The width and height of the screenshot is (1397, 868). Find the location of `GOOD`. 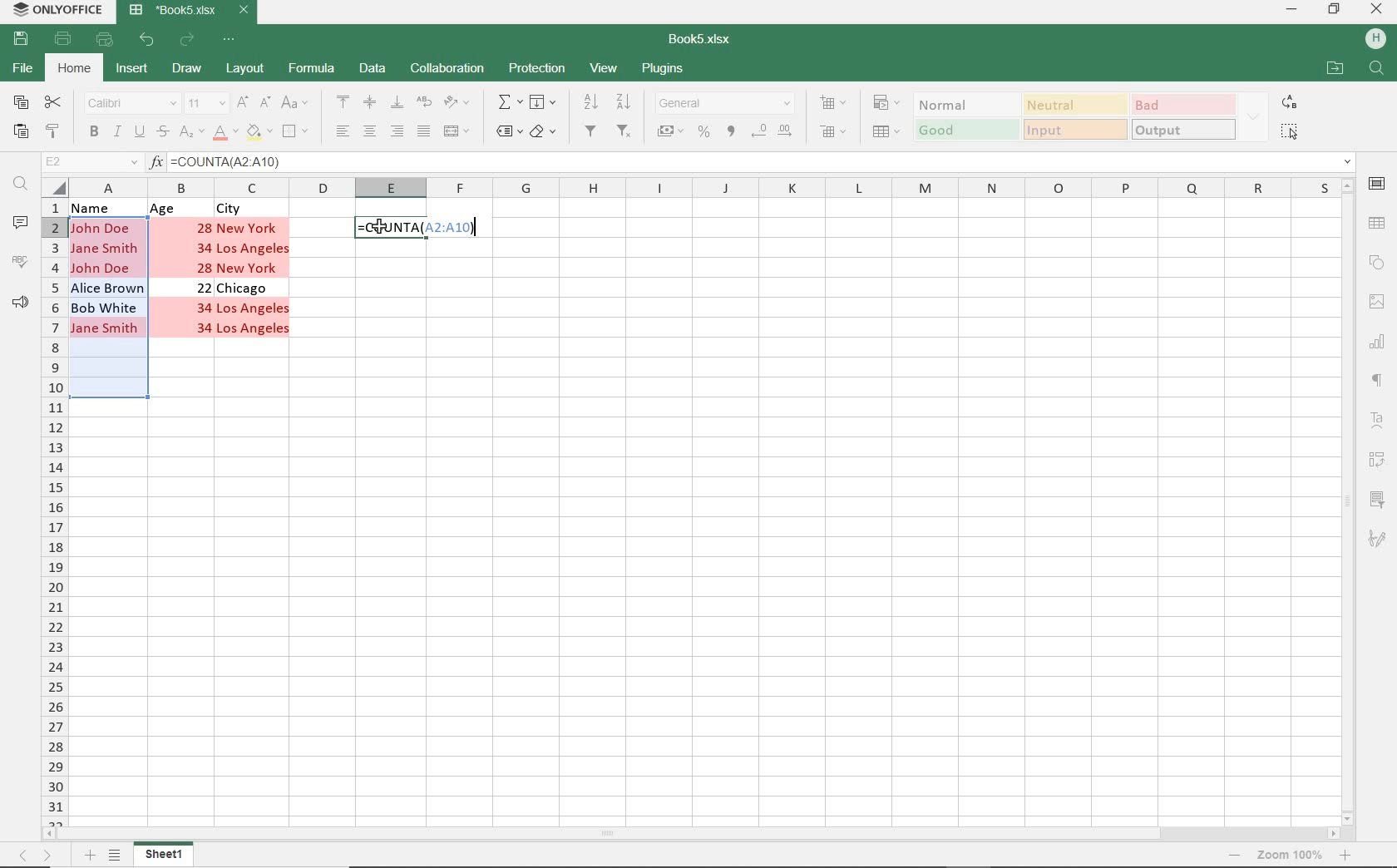

GOOD is located at coordinates (967, 131).